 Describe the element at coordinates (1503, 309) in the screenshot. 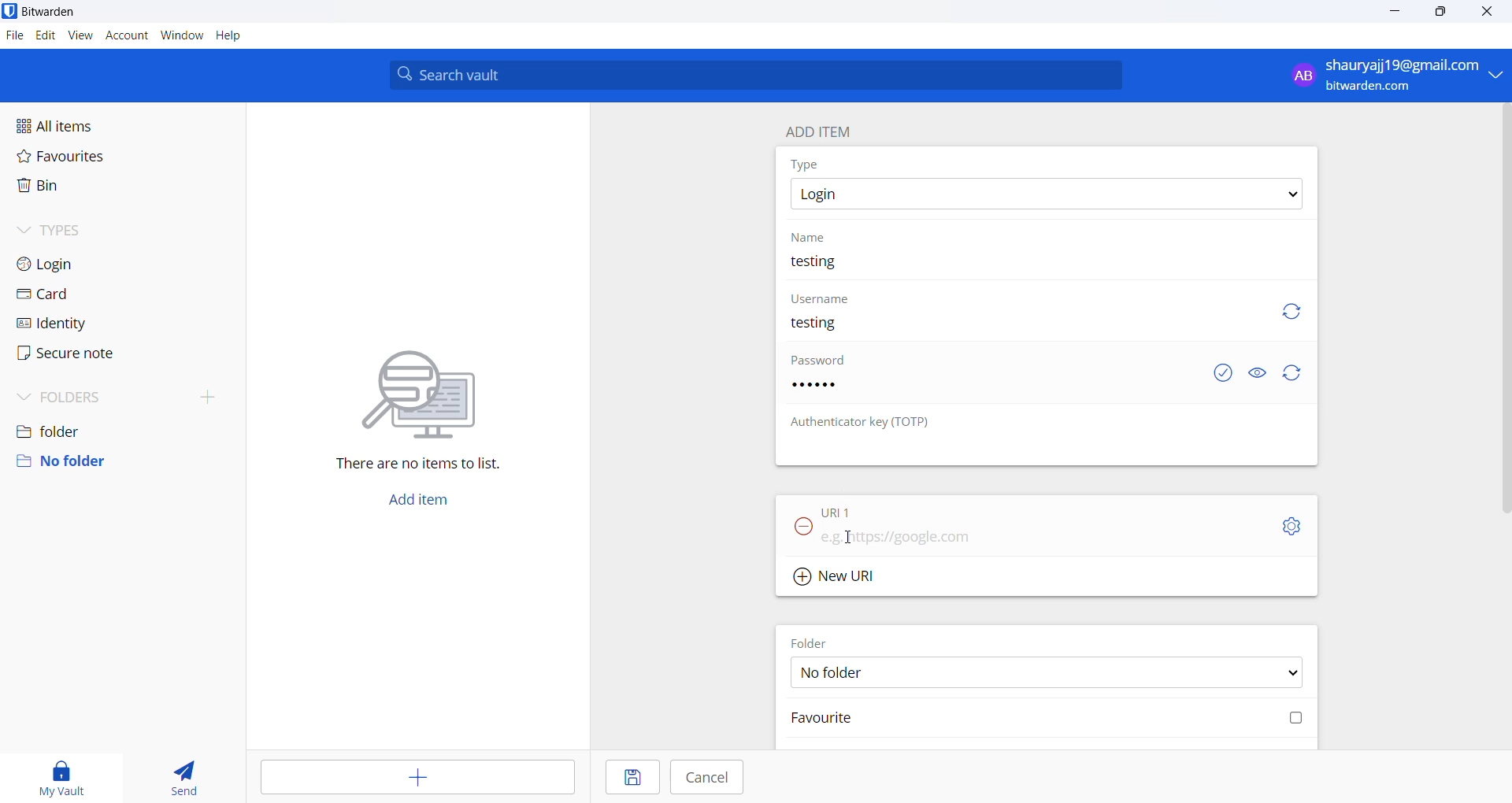

I see `vertical scrollbar` at that location.